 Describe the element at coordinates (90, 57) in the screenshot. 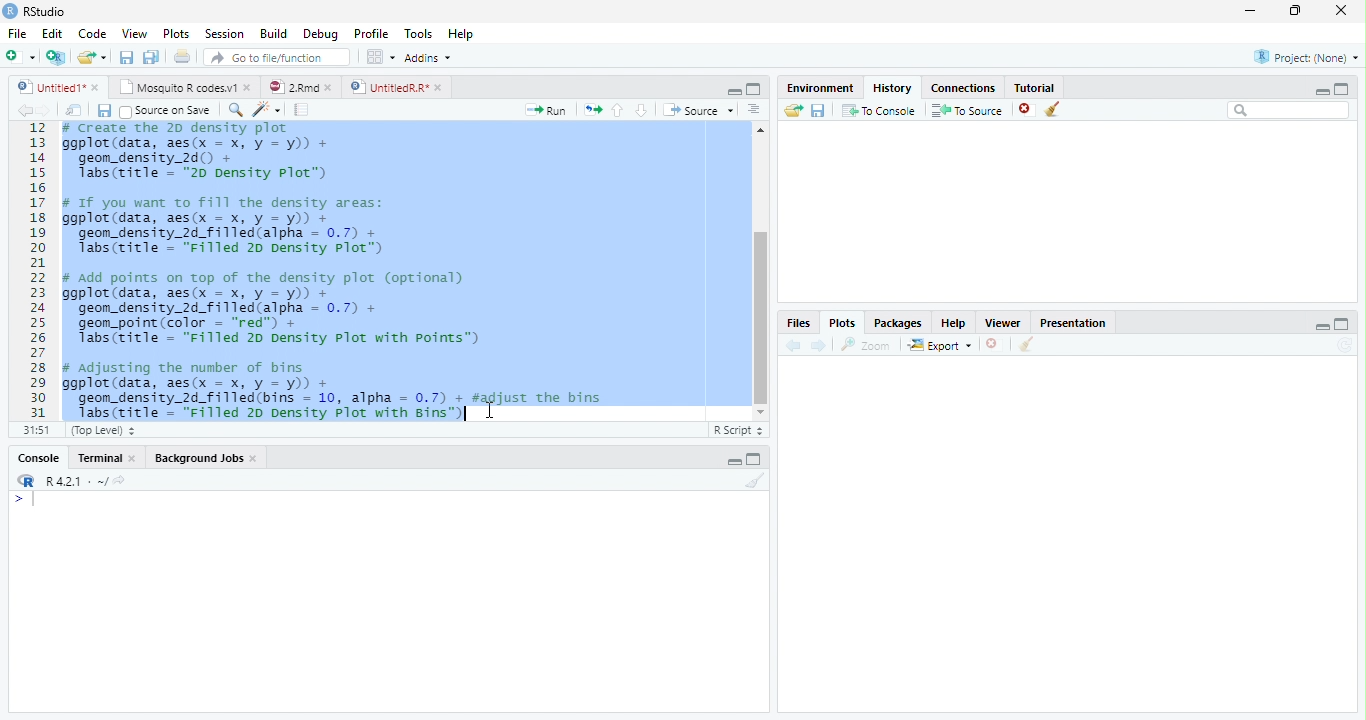

I see `open an existing file` at that location.